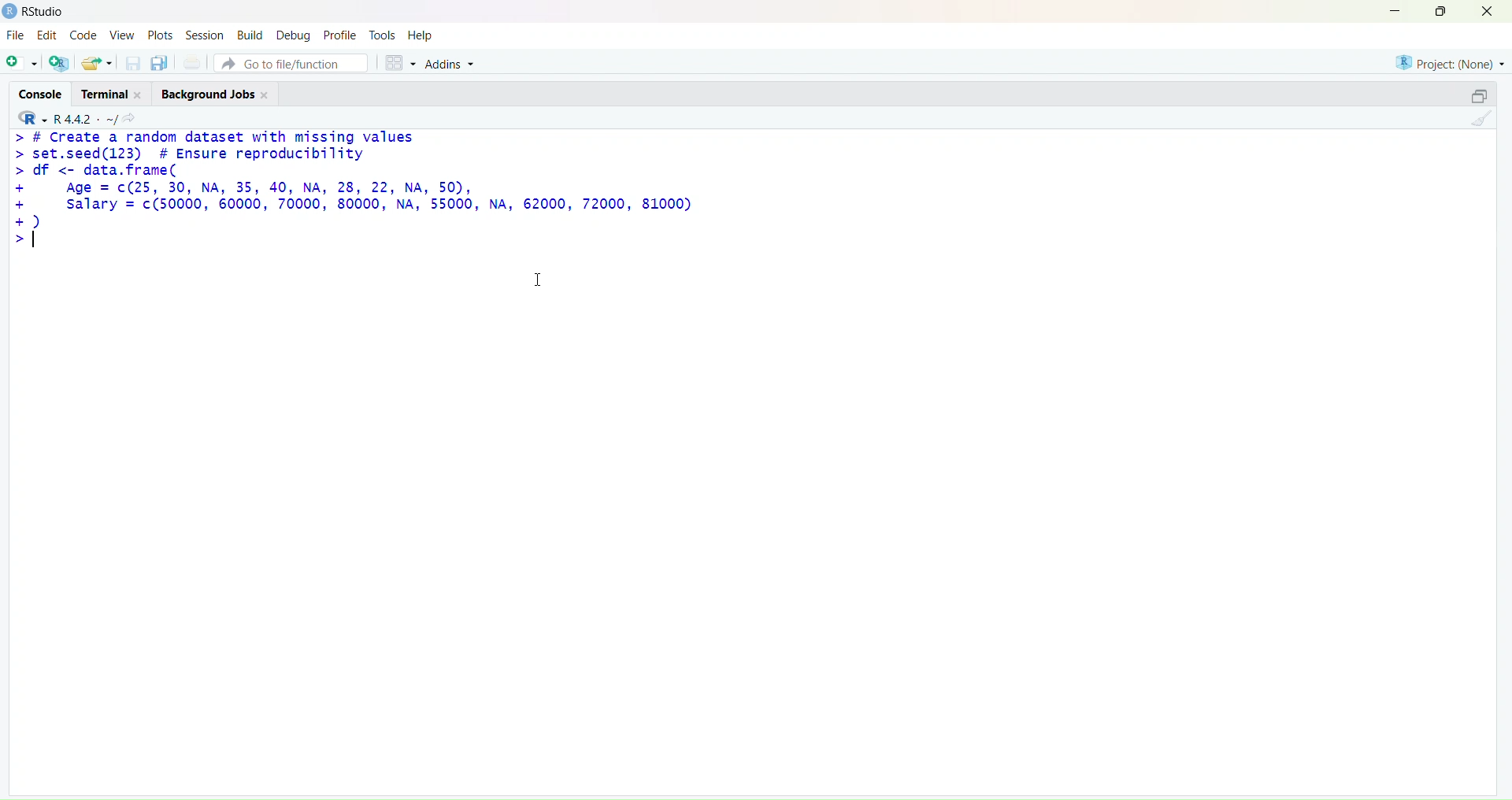 The height and width of the screenshot is (800, 1512). What do you see at coordinates (339, 35) in the screenshot?
I see `profile` at bounding box center [339, 35].